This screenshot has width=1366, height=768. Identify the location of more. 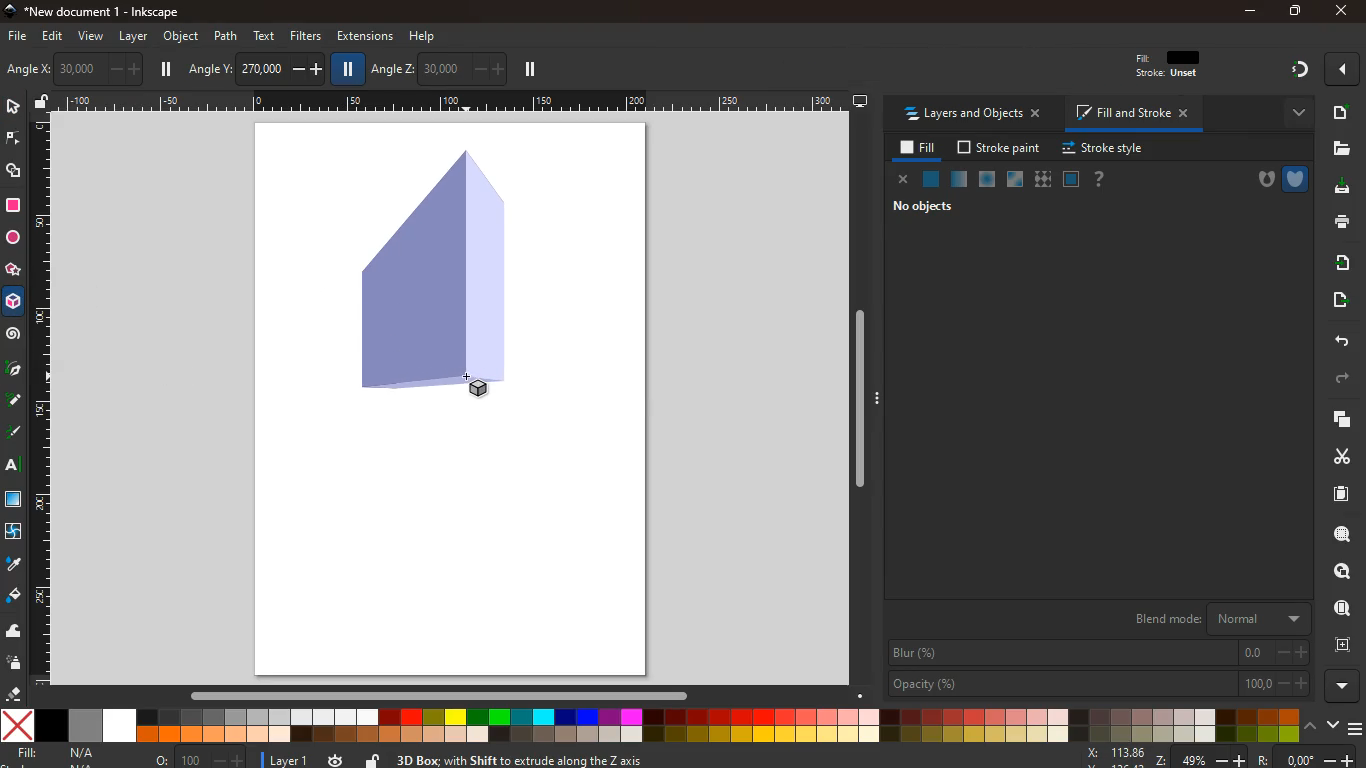
(1293, 112).